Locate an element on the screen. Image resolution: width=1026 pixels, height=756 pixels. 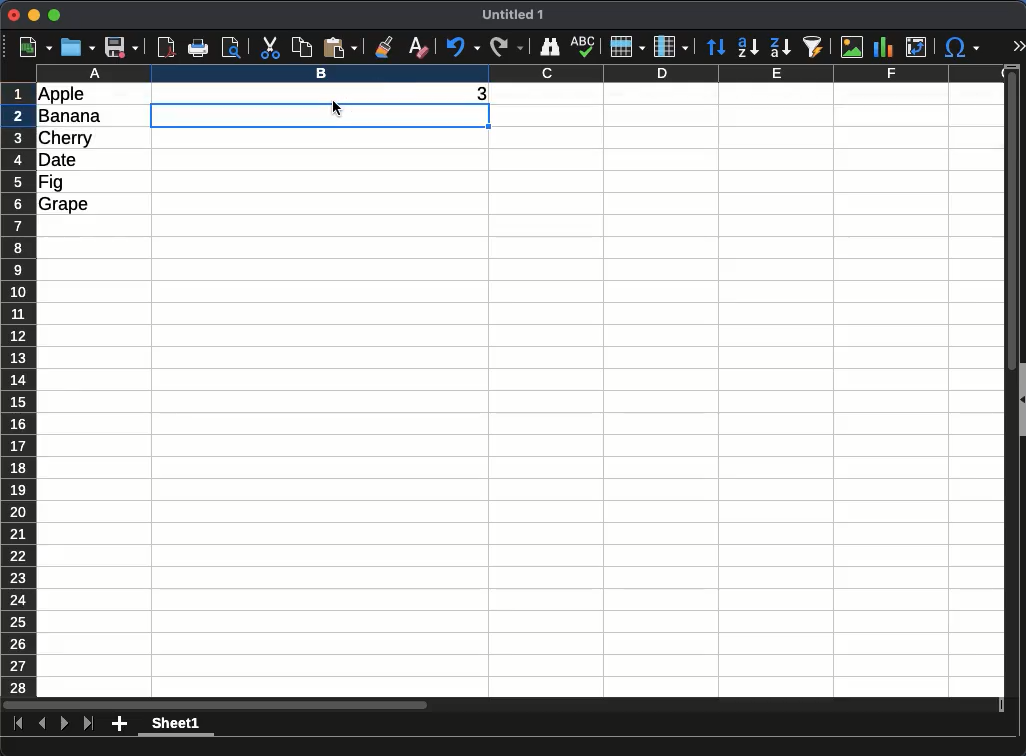
3 is located at coordinates (480, 91).